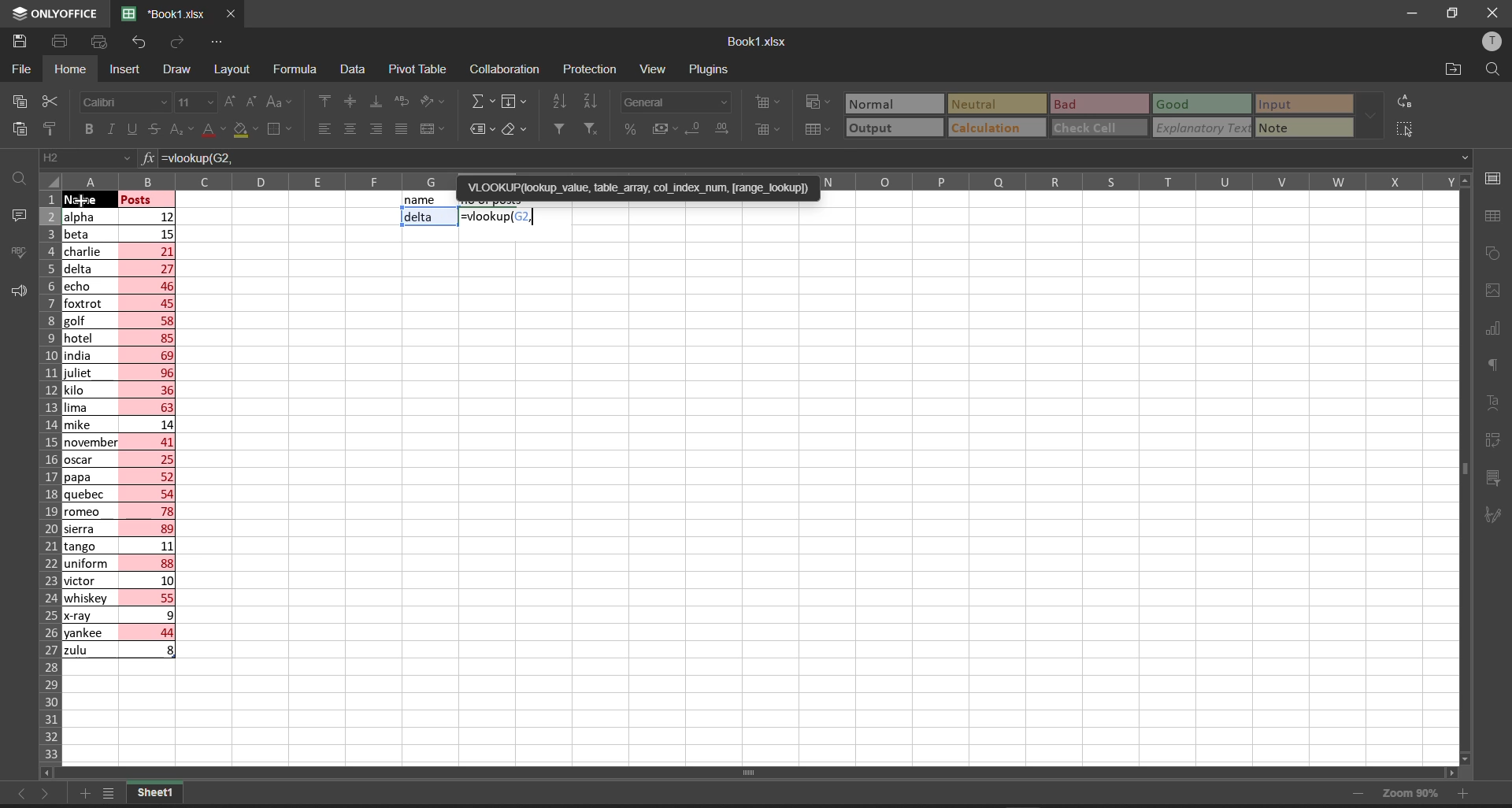 The image size is (1512, 808). Describe the element at coordinates (55, 128) in the screenshot. I see `copy style` at that location.